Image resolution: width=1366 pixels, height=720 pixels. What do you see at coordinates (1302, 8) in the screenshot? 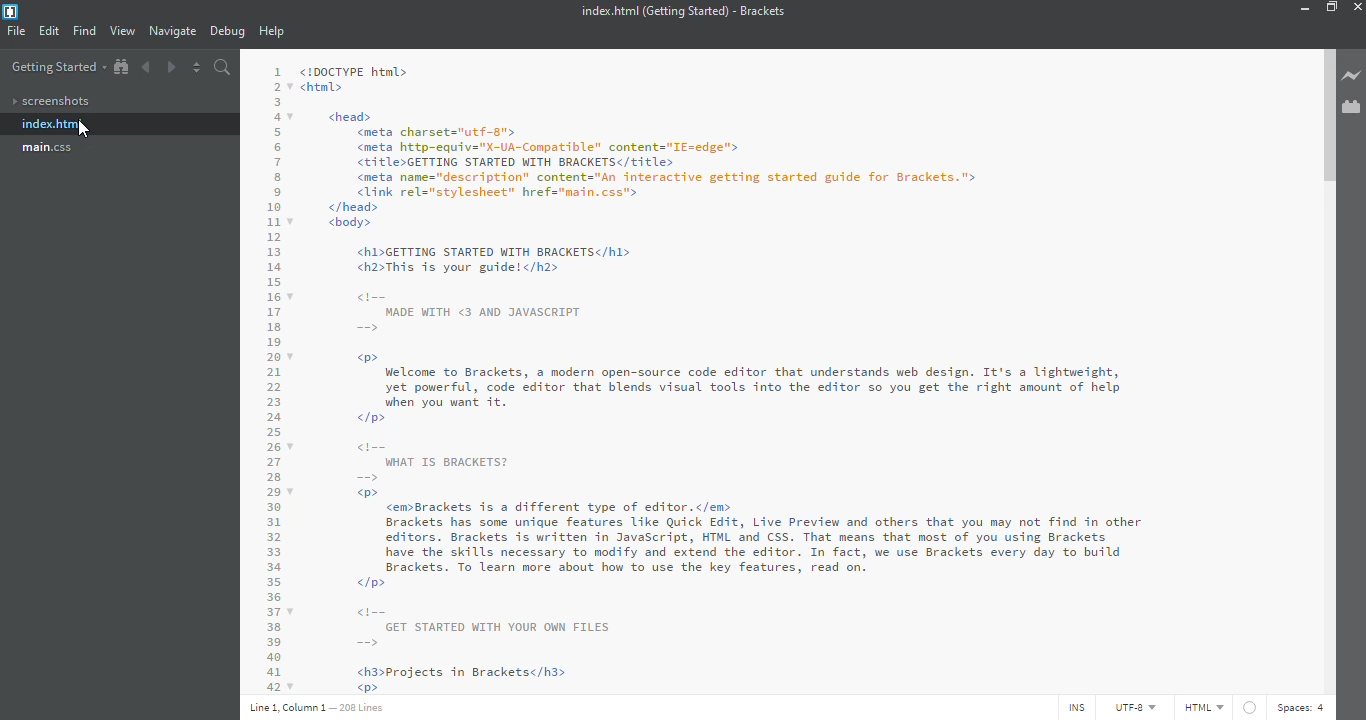
I see `minimize` at bounding box center [1302, 8].